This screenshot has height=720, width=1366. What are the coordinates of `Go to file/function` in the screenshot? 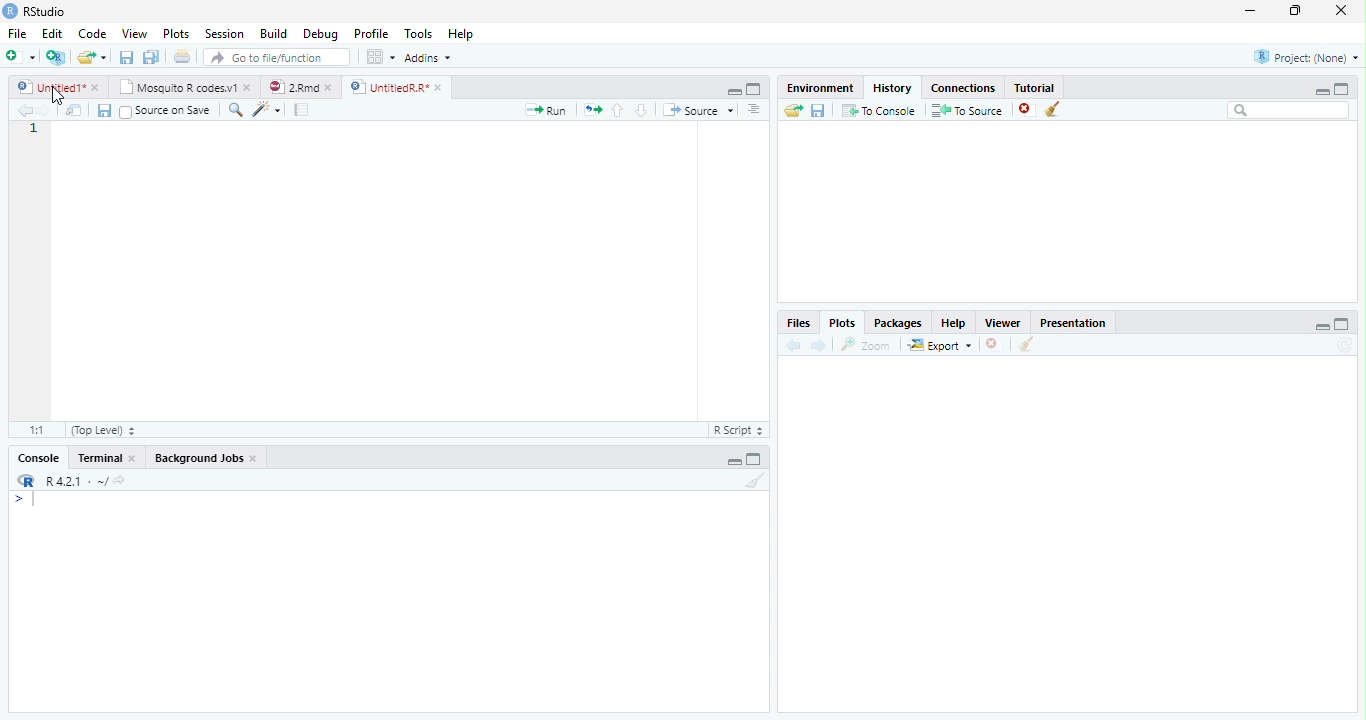 It's located at (277, 56).